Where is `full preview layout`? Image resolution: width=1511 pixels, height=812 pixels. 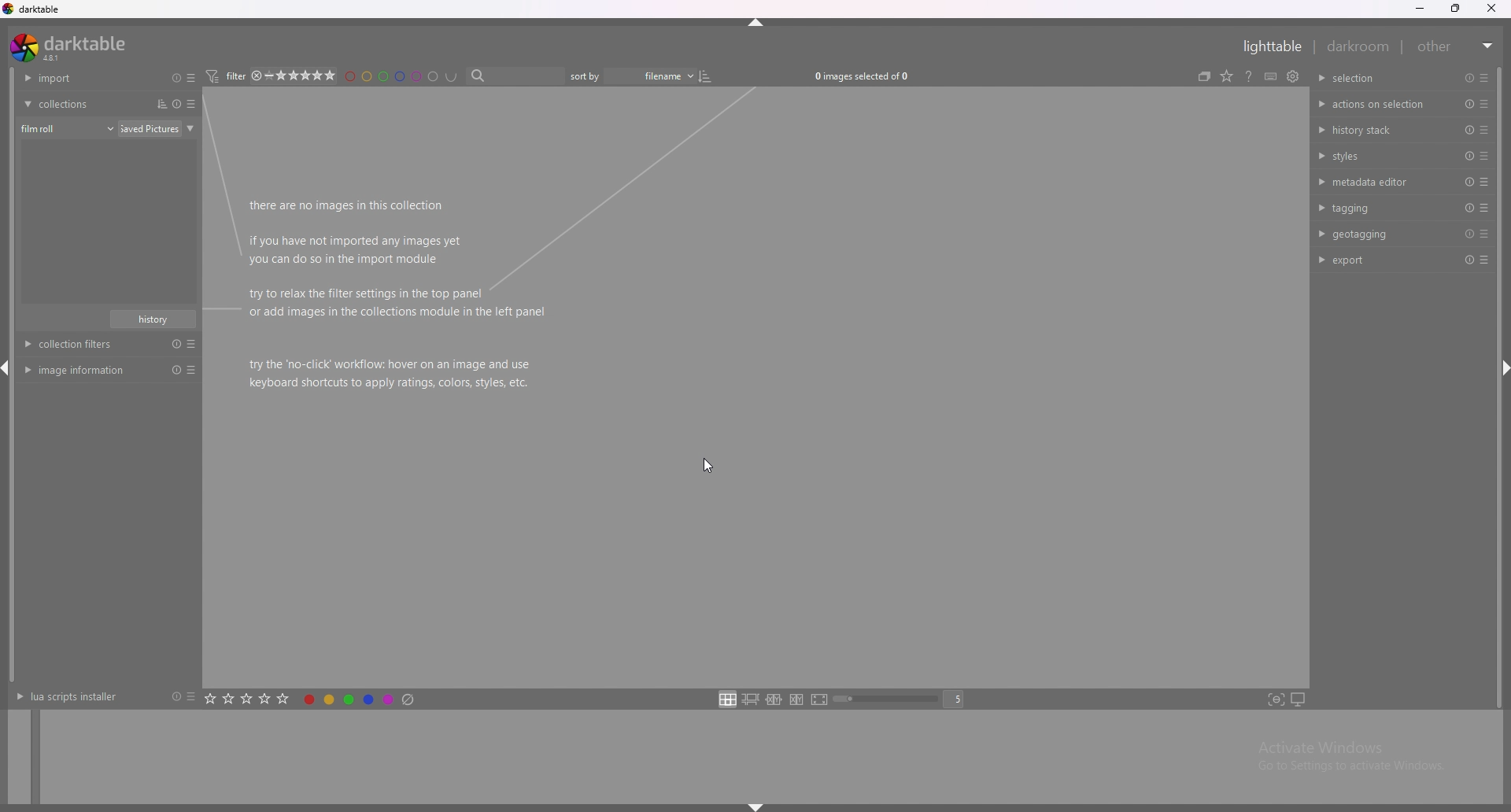 full preview layout is located at coordinates (820, 701).